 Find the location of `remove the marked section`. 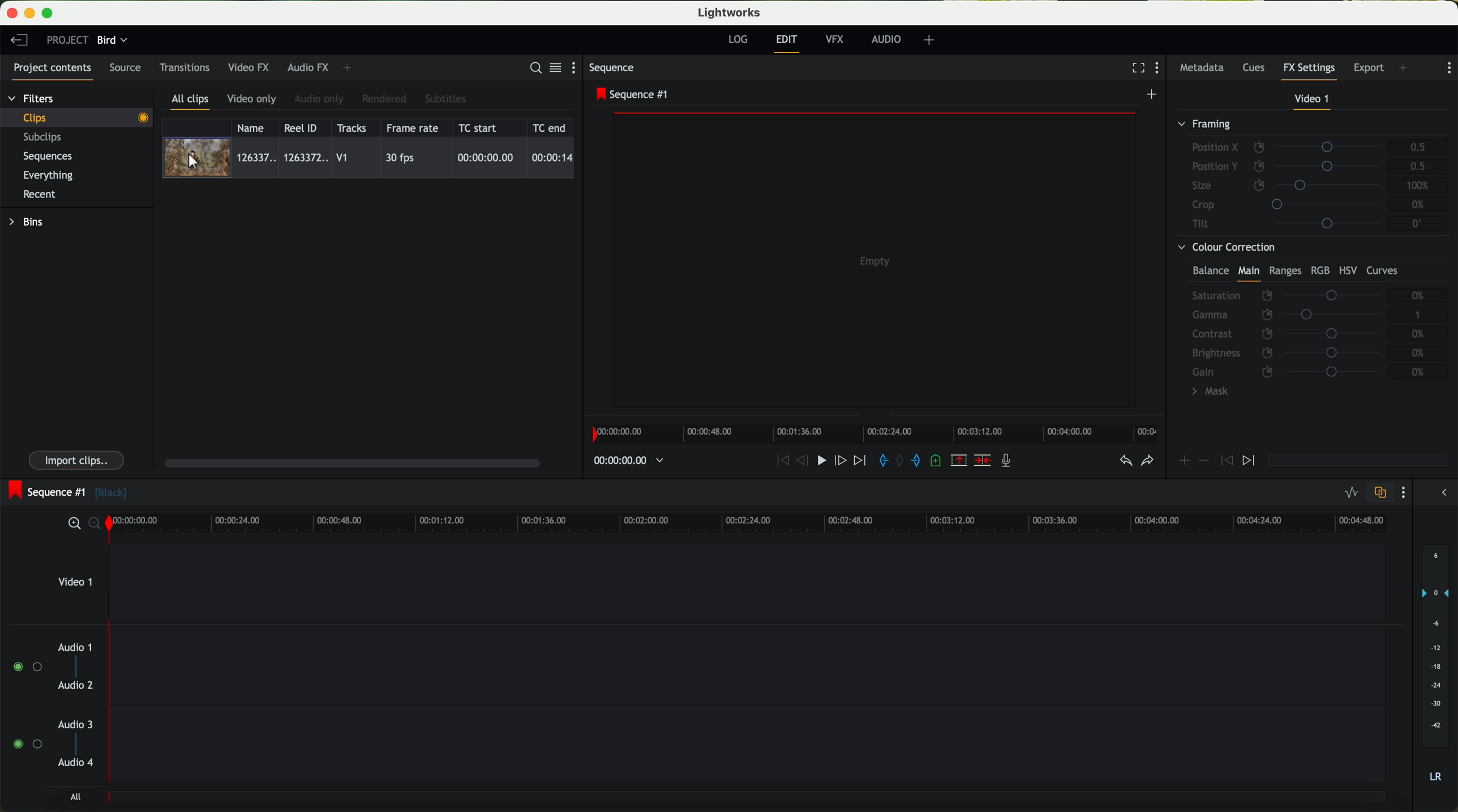

remove the marked section is located at coordinates (960, 461).